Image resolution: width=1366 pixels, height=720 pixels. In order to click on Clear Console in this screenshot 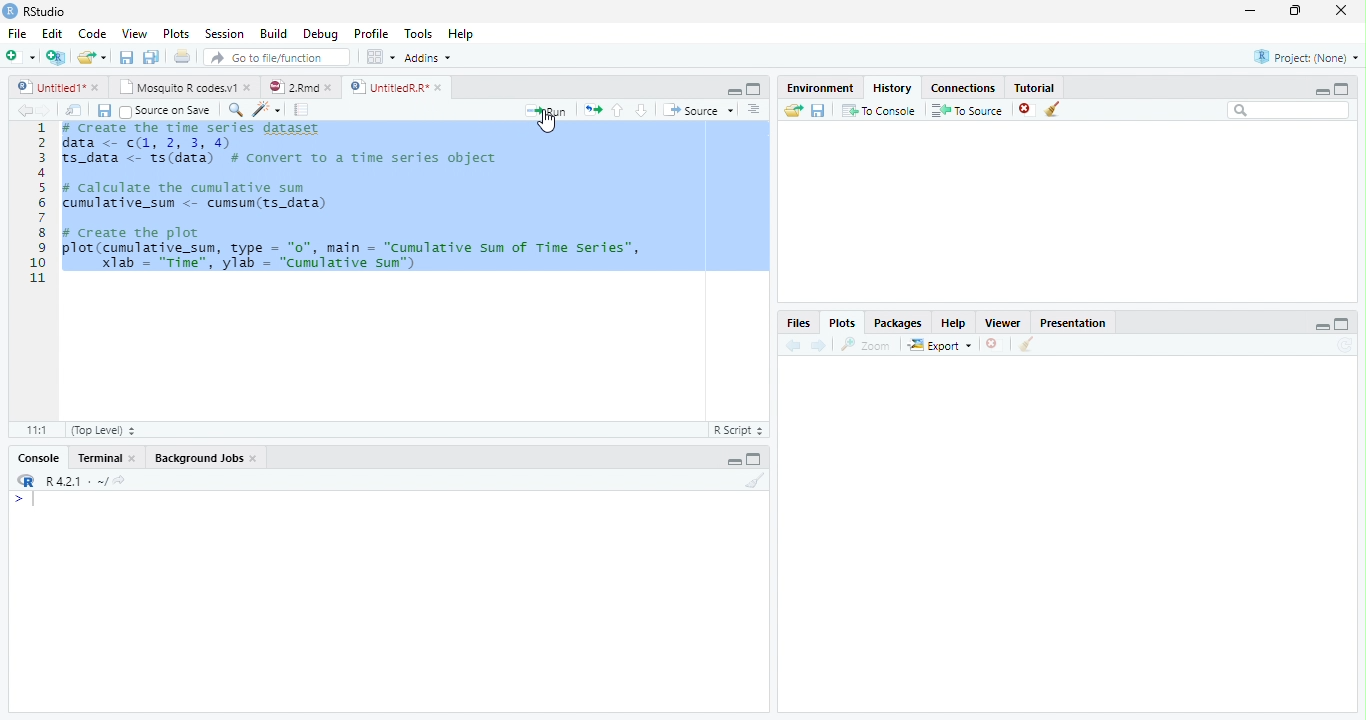, I will do `click(1051, 112)`.